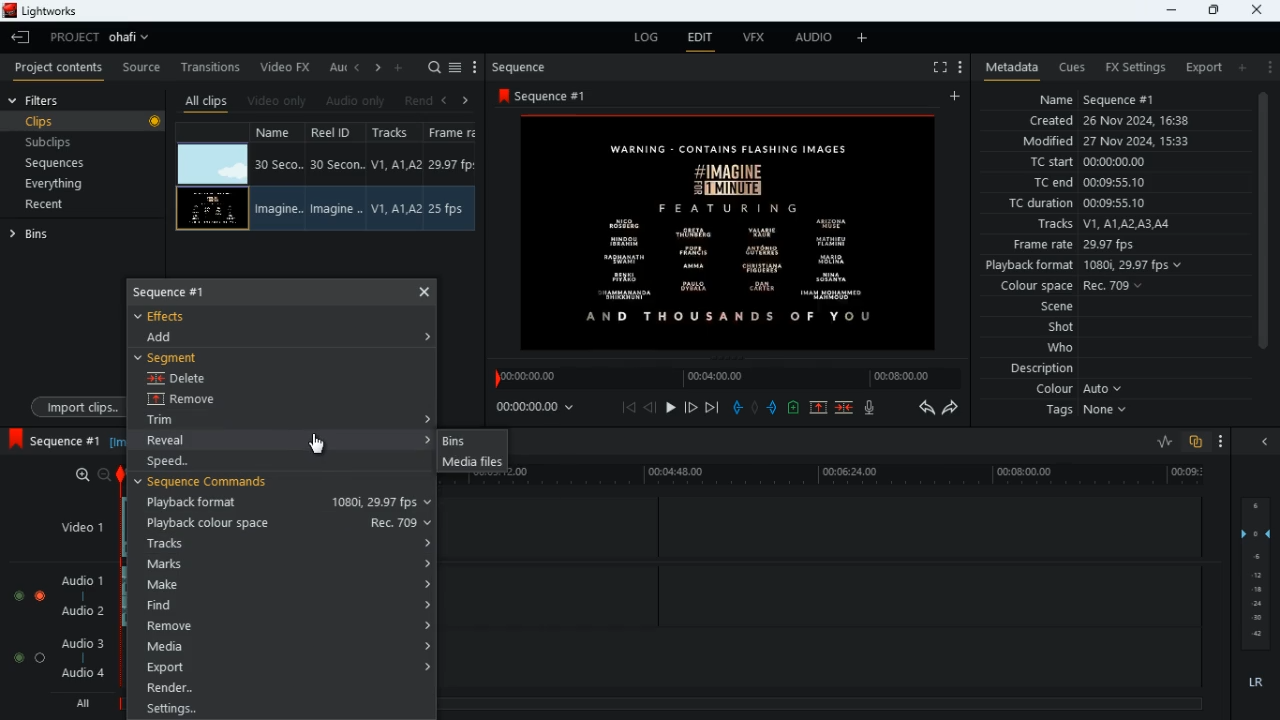 The image size is (1280, 720). What do you see at coordinates (21, 38) in the screenshot?
I see `back` at bounding box center [21, 38].